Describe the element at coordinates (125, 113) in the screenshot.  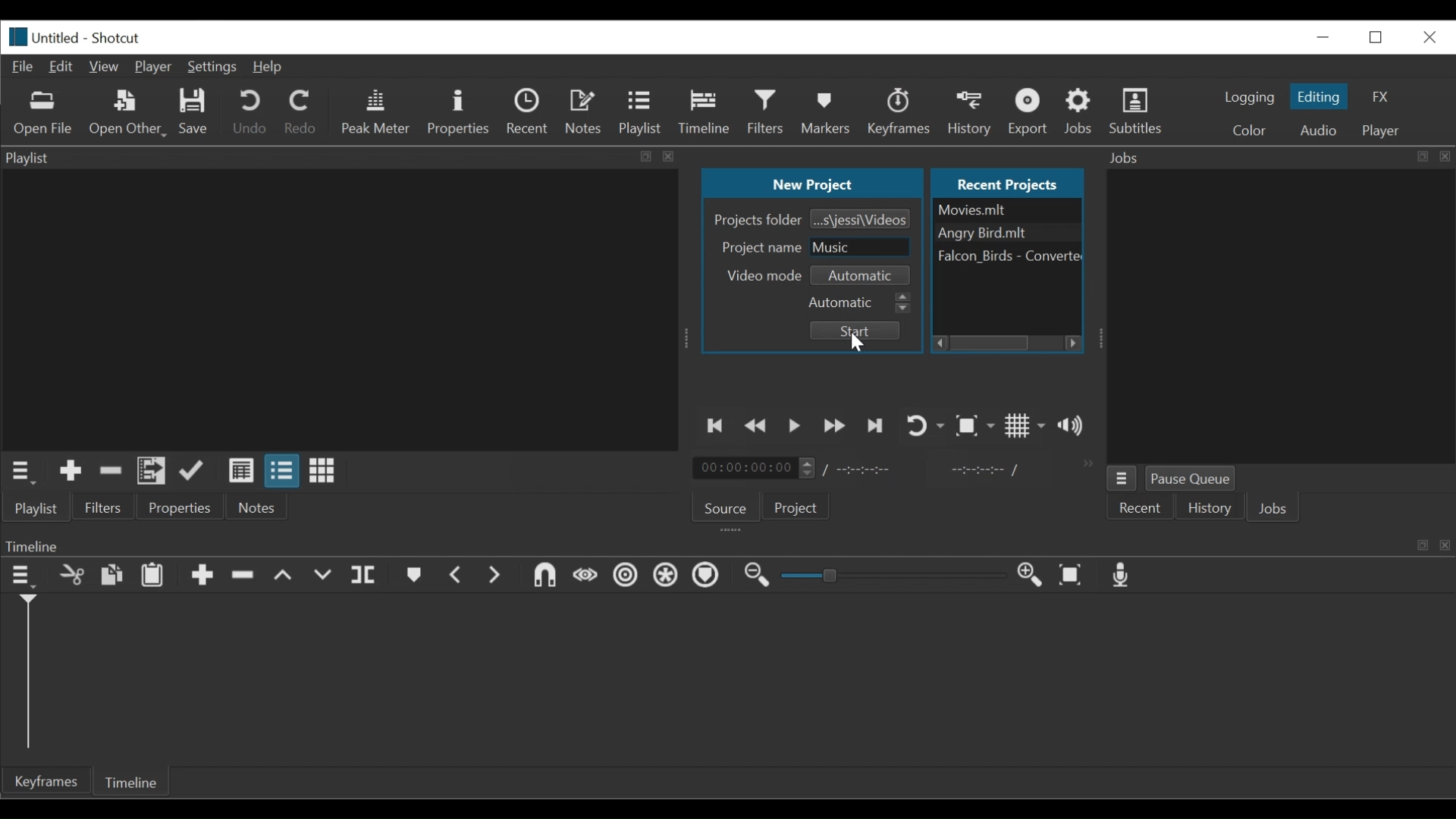
I see `Open Other` at that location.